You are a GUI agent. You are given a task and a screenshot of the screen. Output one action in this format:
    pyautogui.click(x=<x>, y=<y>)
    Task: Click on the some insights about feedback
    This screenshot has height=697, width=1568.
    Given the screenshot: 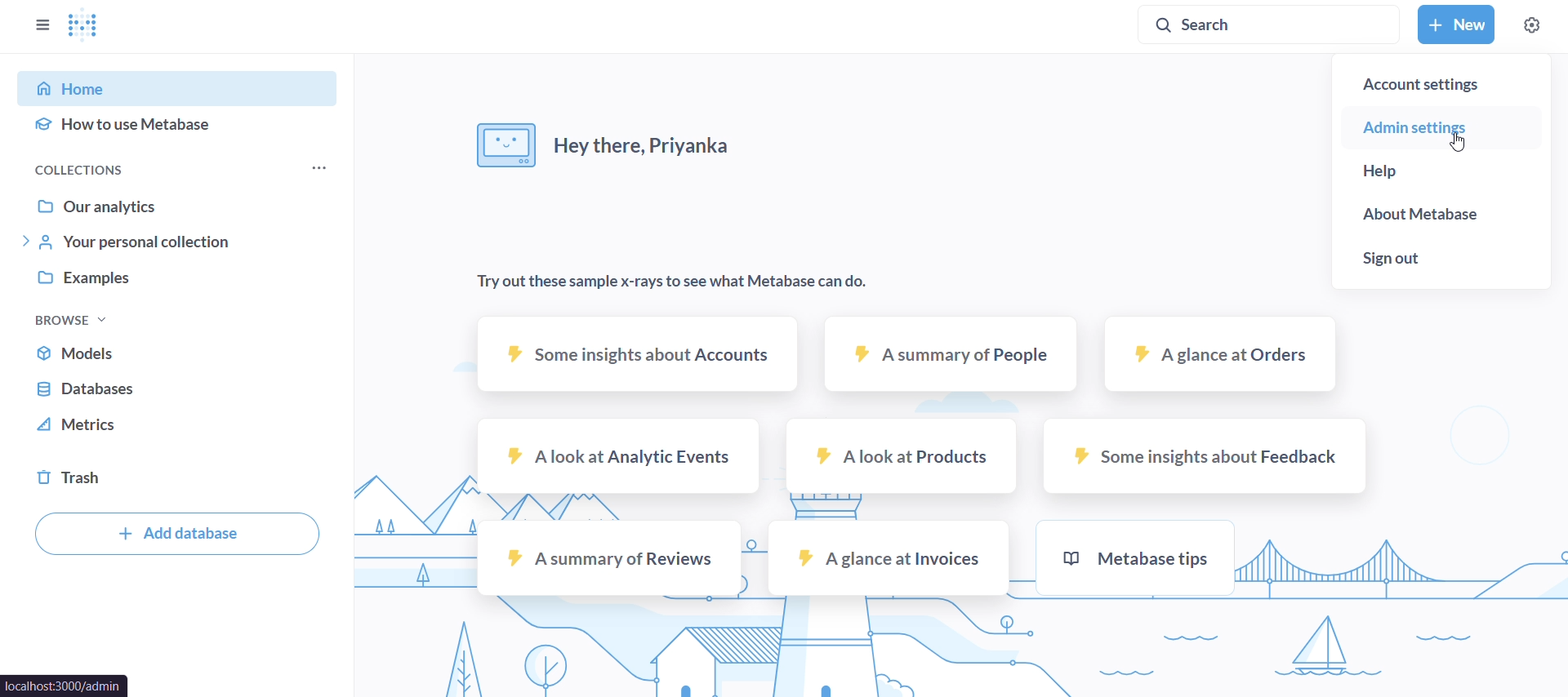 What is the action you would take?
    pyautogui.click(x=1205, y=454)
    